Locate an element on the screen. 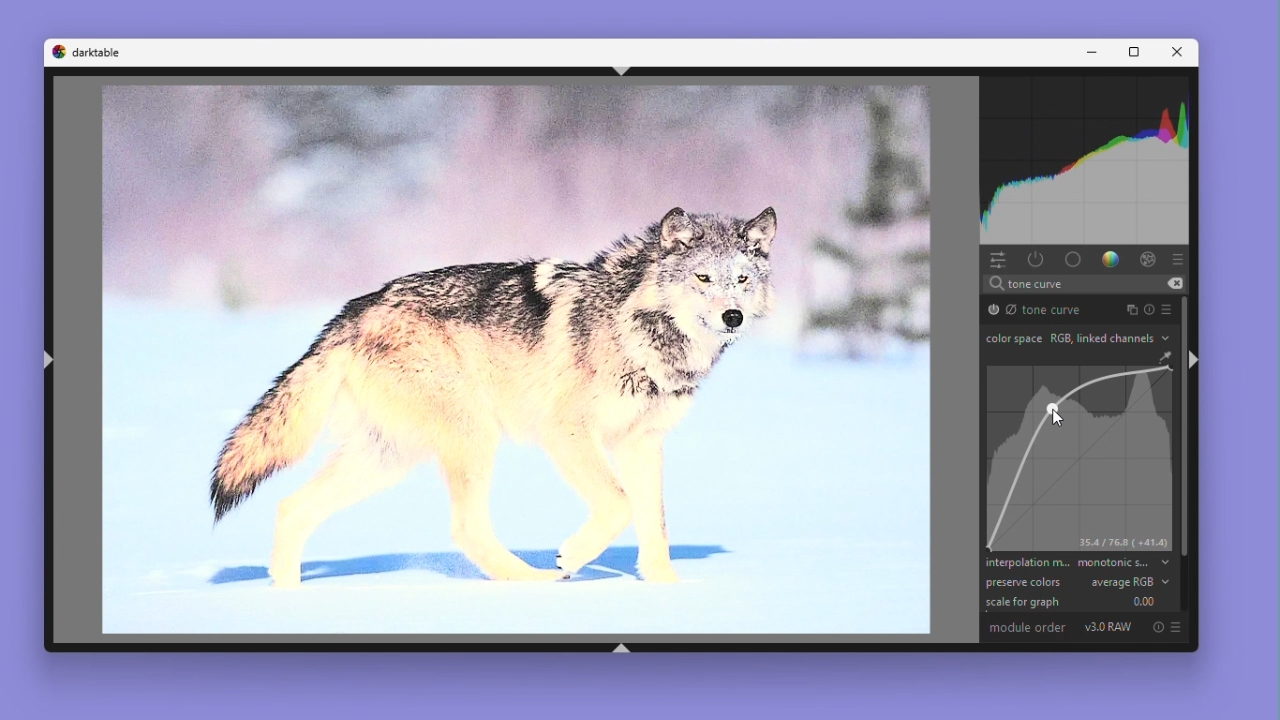  Cursor is located at coordinates (1059, 418).